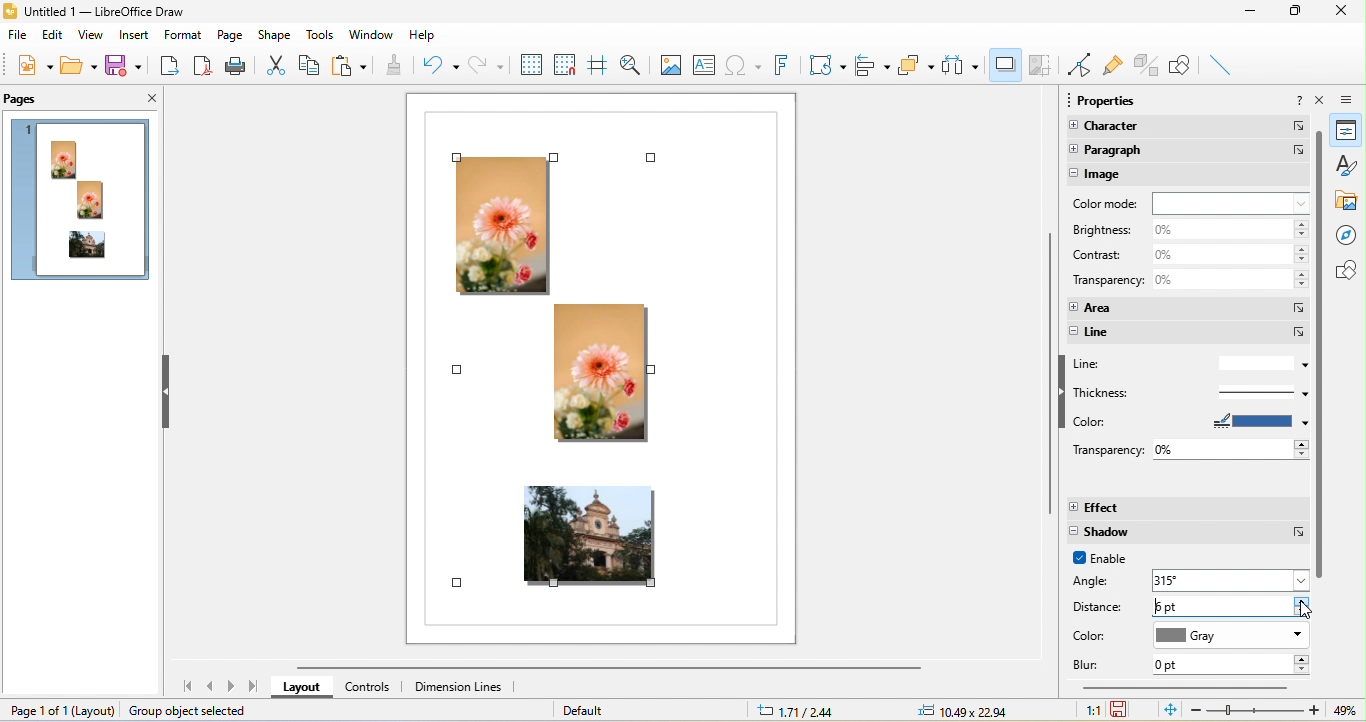 The width and height of the screenshot is (1366, 722). I want to click on close, so click(143, 99).